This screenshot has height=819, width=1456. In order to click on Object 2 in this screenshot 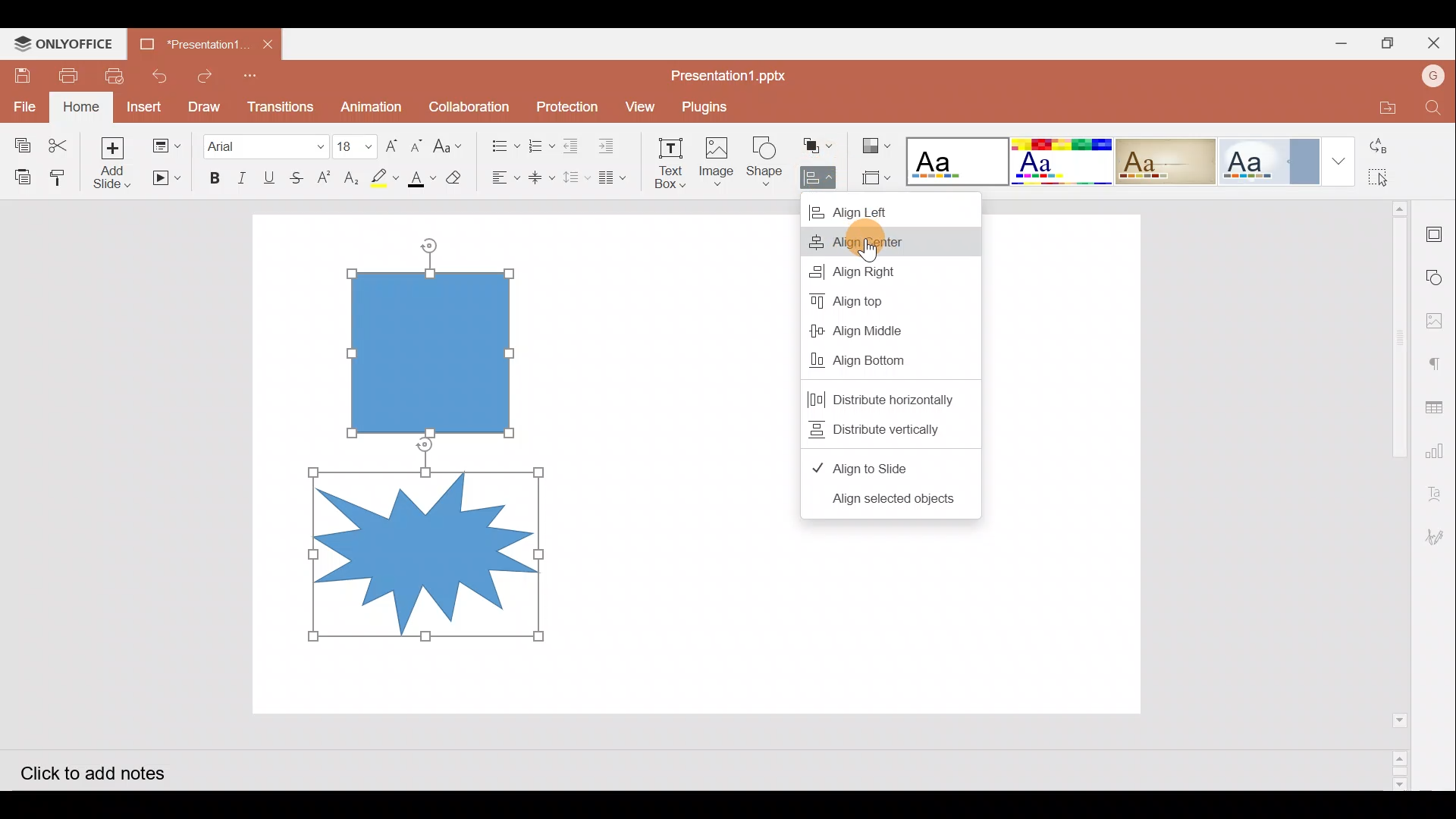, I will do `click(427, 551)`.